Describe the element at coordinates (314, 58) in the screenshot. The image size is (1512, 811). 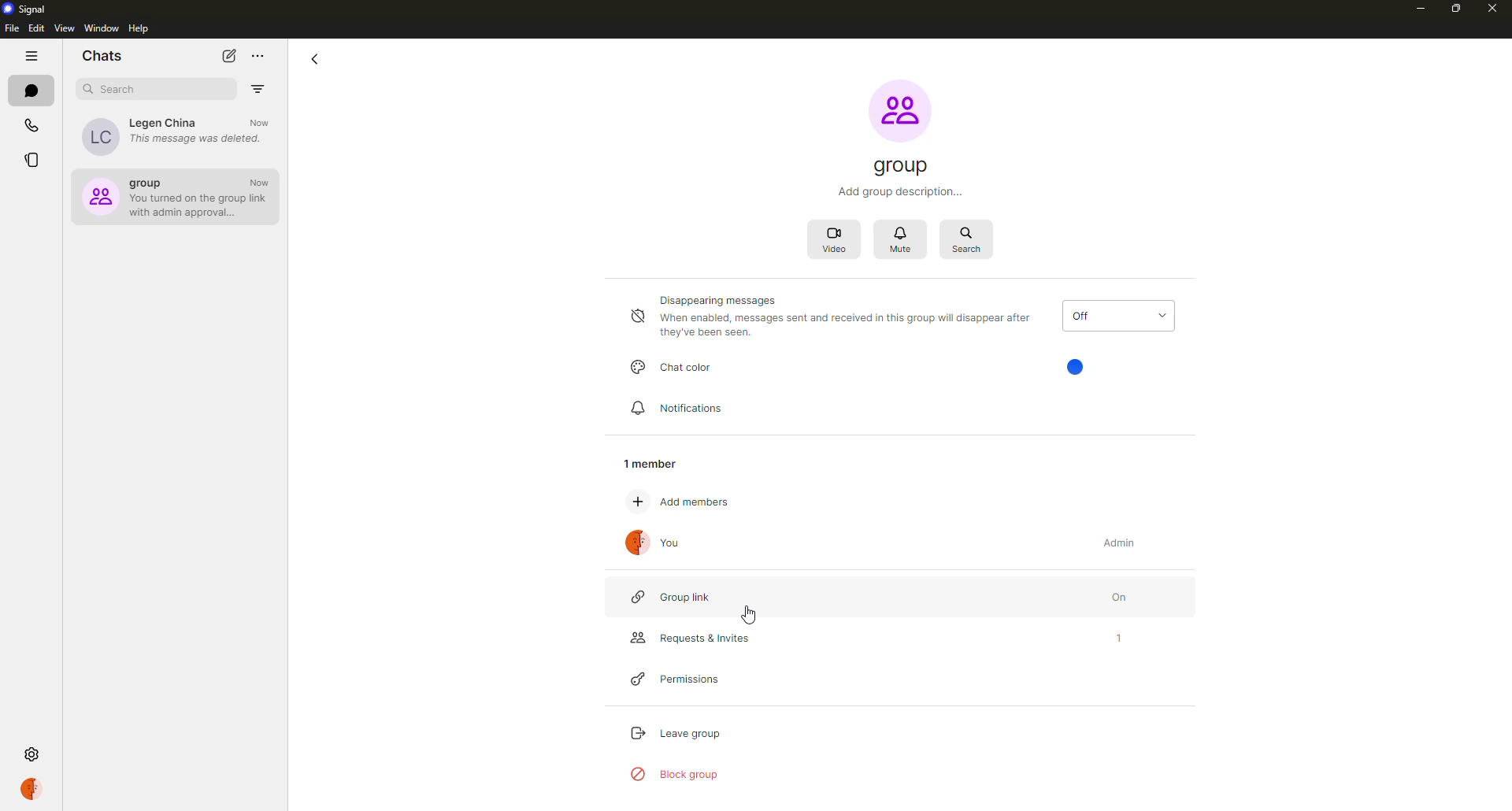
I see `back` at that location.